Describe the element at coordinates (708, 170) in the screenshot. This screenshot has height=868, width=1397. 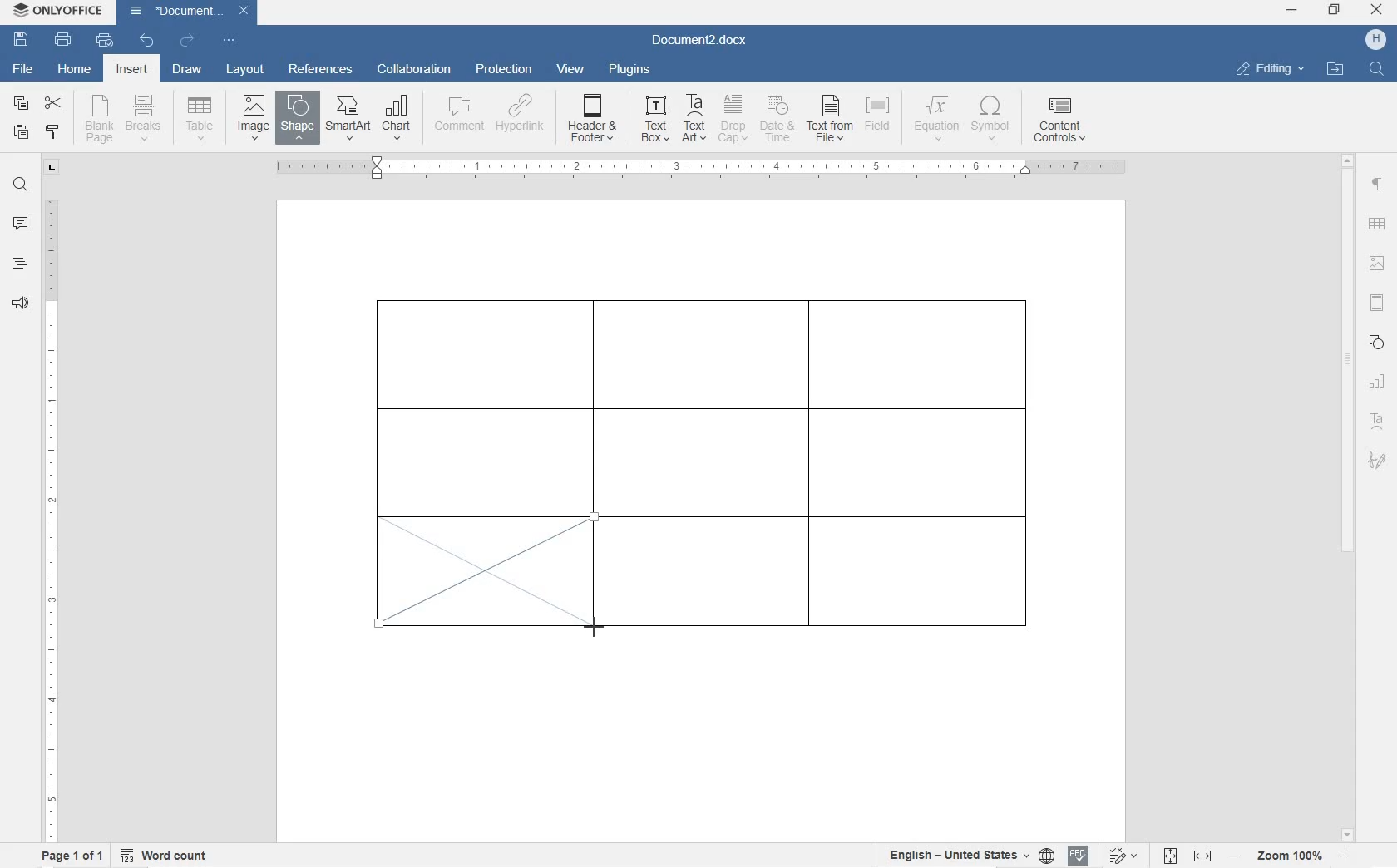
I see `ruler` at that location.